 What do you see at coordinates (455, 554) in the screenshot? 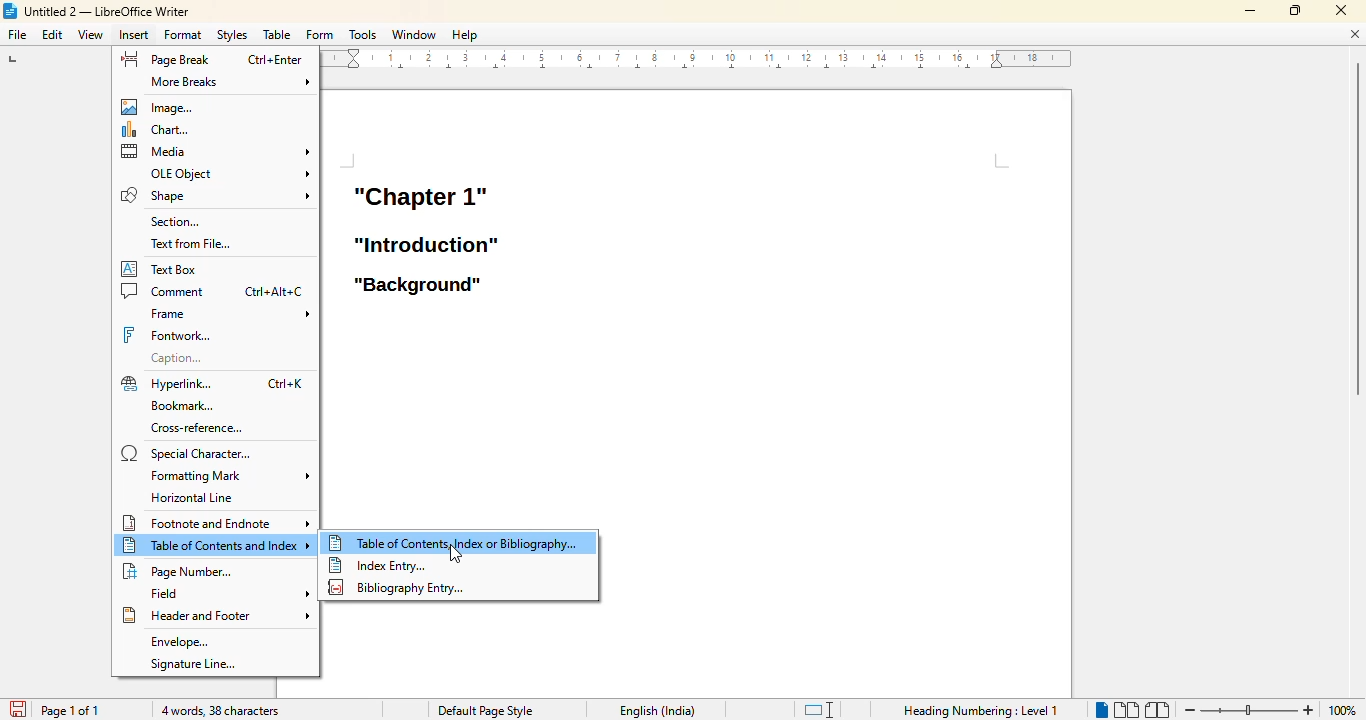
I see `cursor` at bounding box center [455, 554].